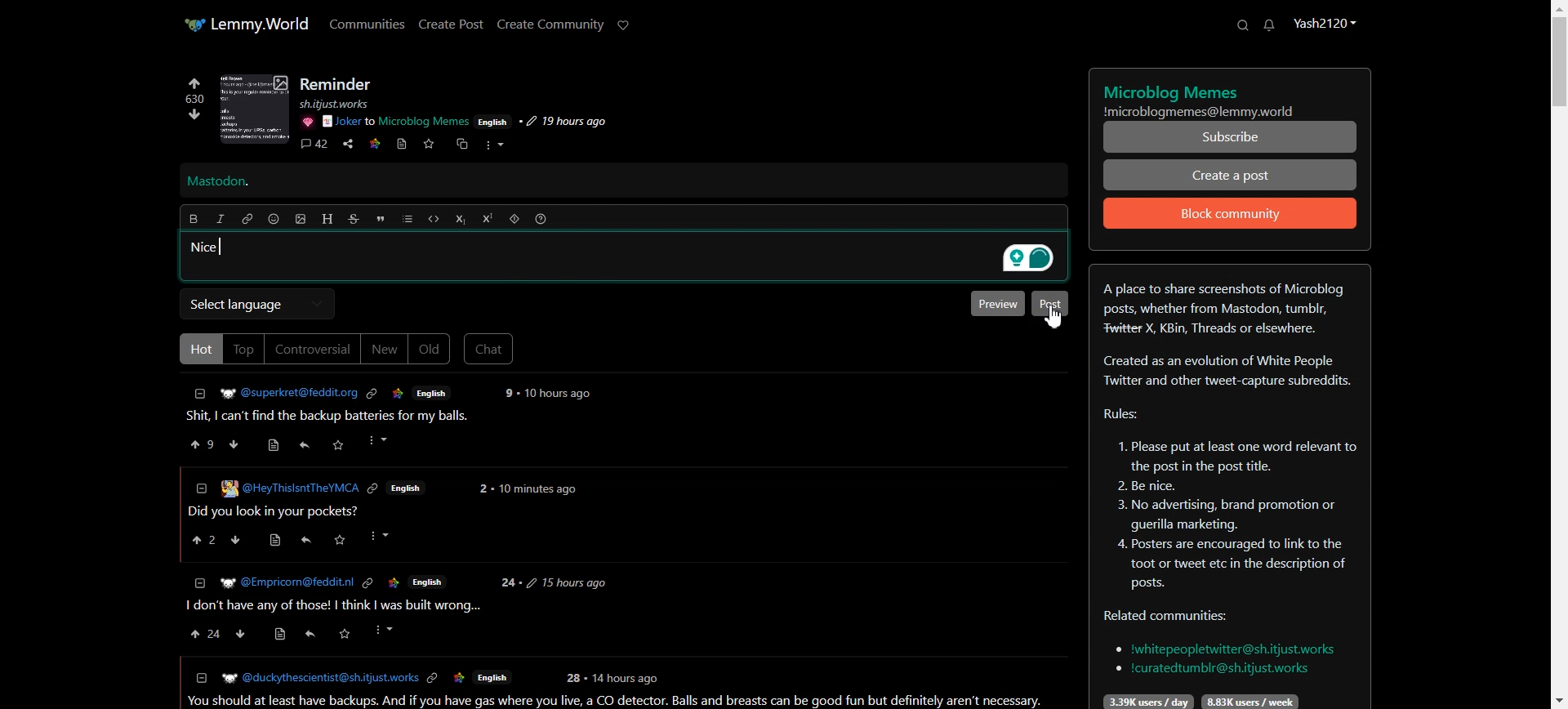 Image resolution: width=1568 pixels, height=709 pixels. Describe the element at coordinates (340, 444) in the screenshot. I see `` at that location.